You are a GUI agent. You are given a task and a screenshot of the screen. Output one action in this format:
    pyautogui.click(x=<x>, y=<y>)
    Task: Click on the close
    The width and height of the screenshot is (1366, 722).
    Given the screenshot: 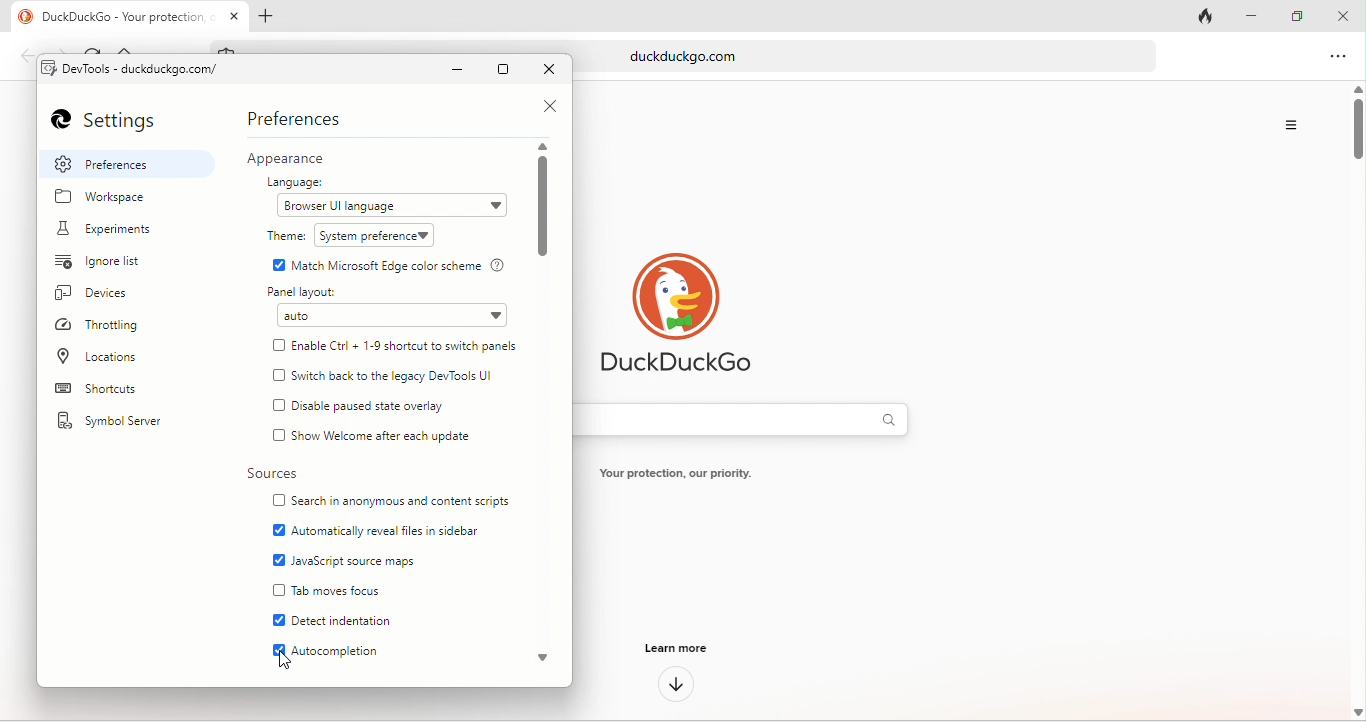 What is the action you would take?
    pyautogui.click(x=551, y=71)
    